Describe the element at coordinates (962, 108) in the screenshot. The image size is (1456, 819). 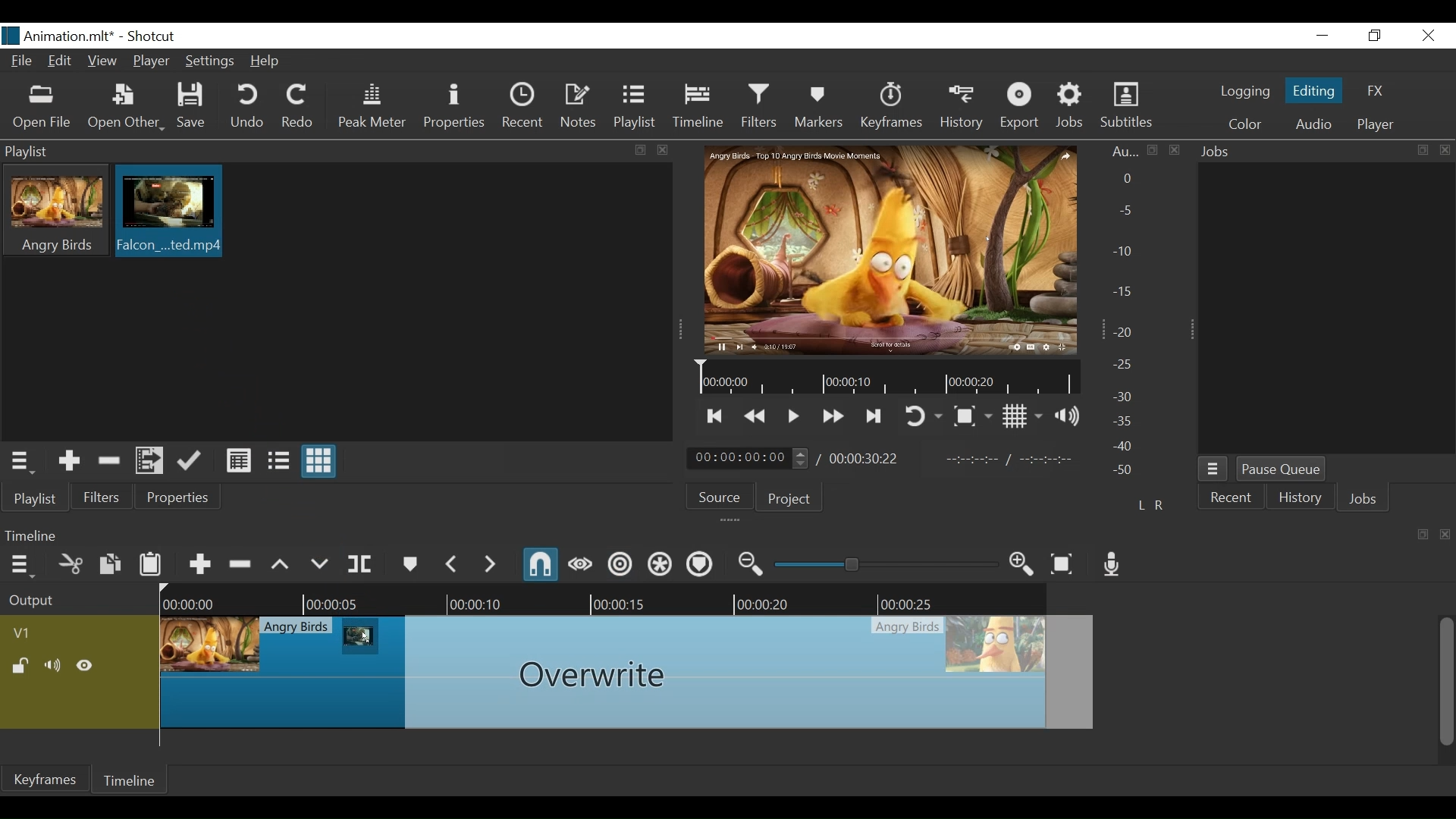
I see `History` at that location.